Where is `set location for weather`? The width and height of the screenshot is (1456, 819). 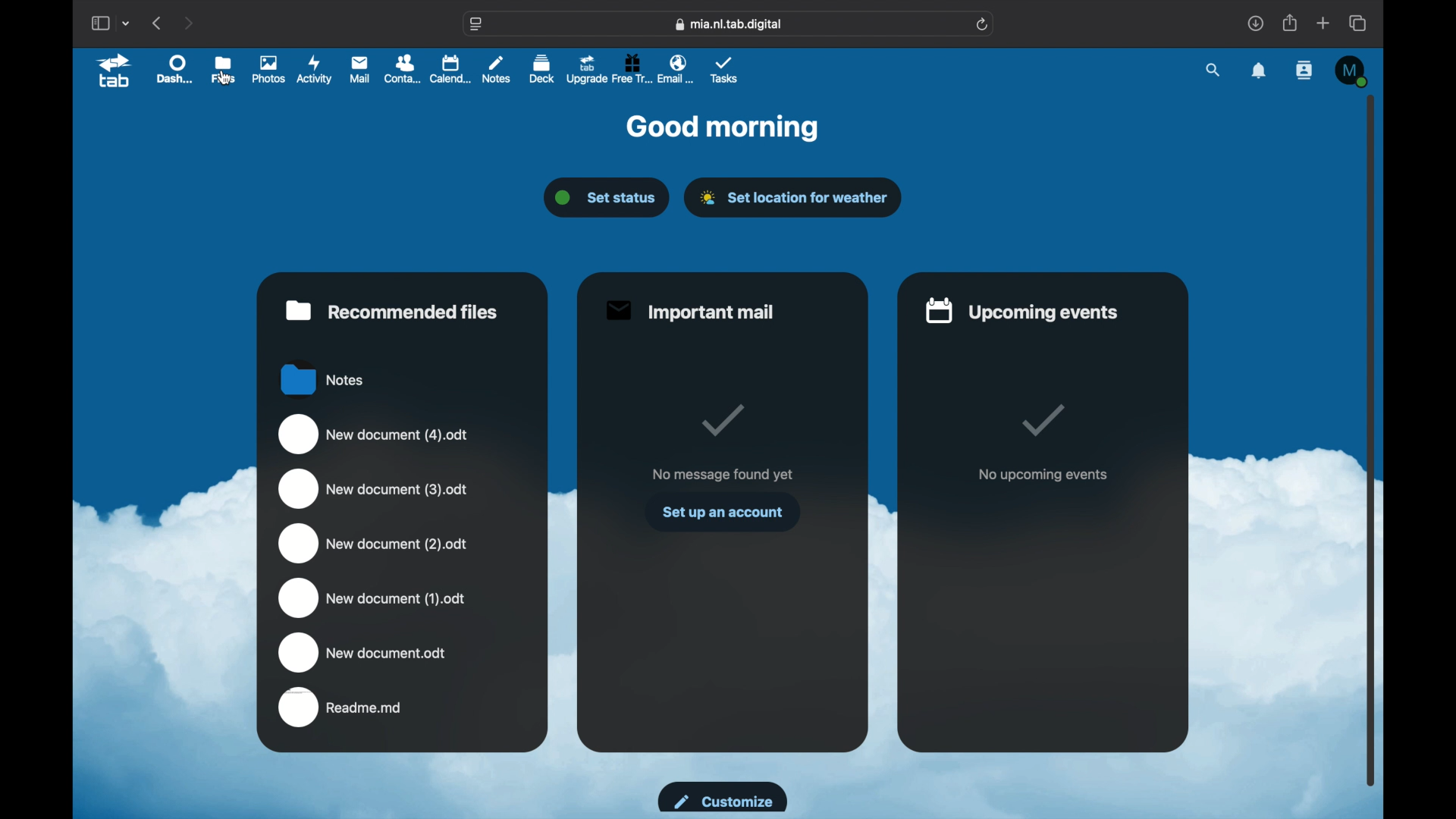 set location for weather is located at coordinates (792, 198).